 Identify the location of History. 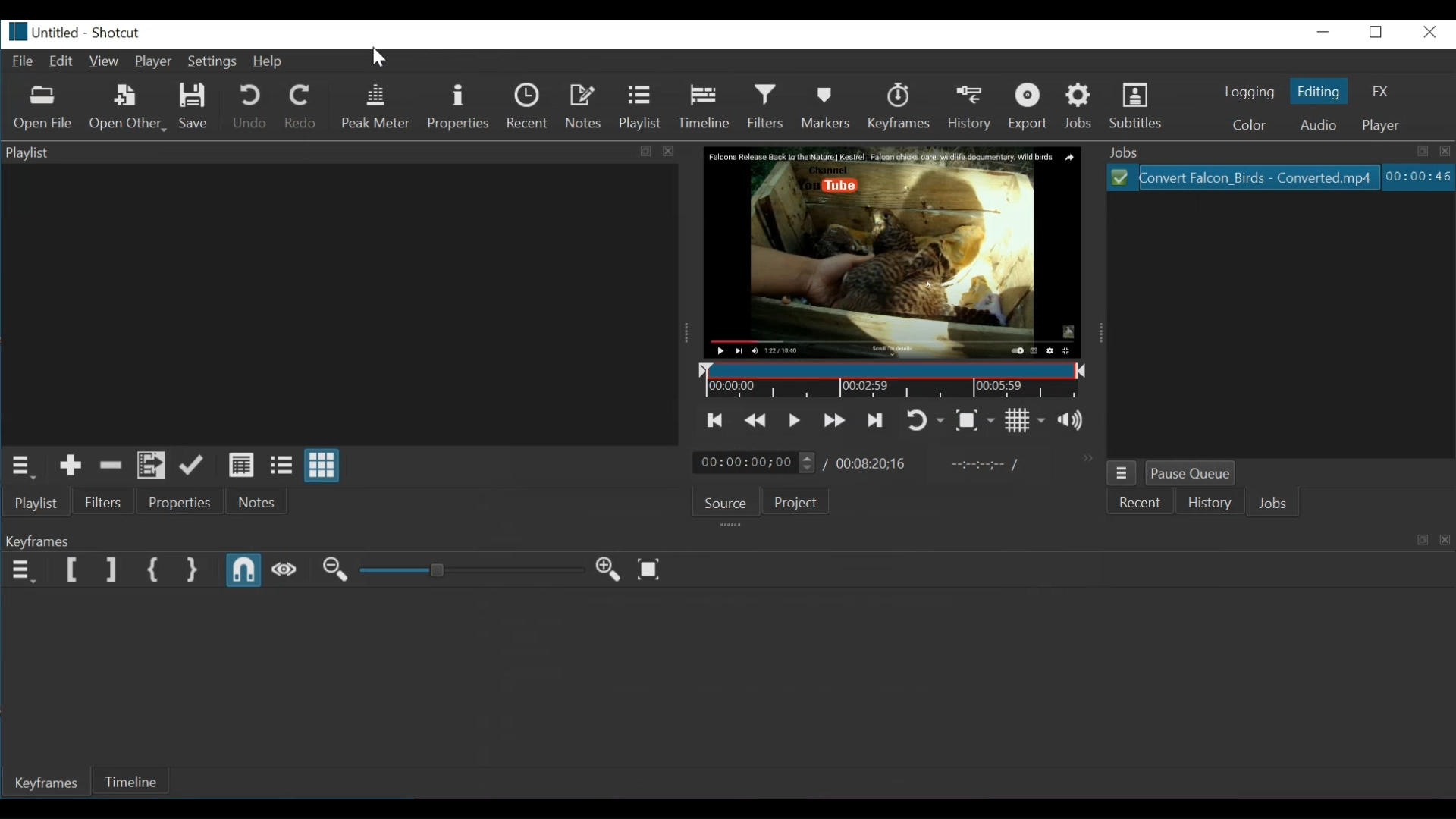
(1214, 504).